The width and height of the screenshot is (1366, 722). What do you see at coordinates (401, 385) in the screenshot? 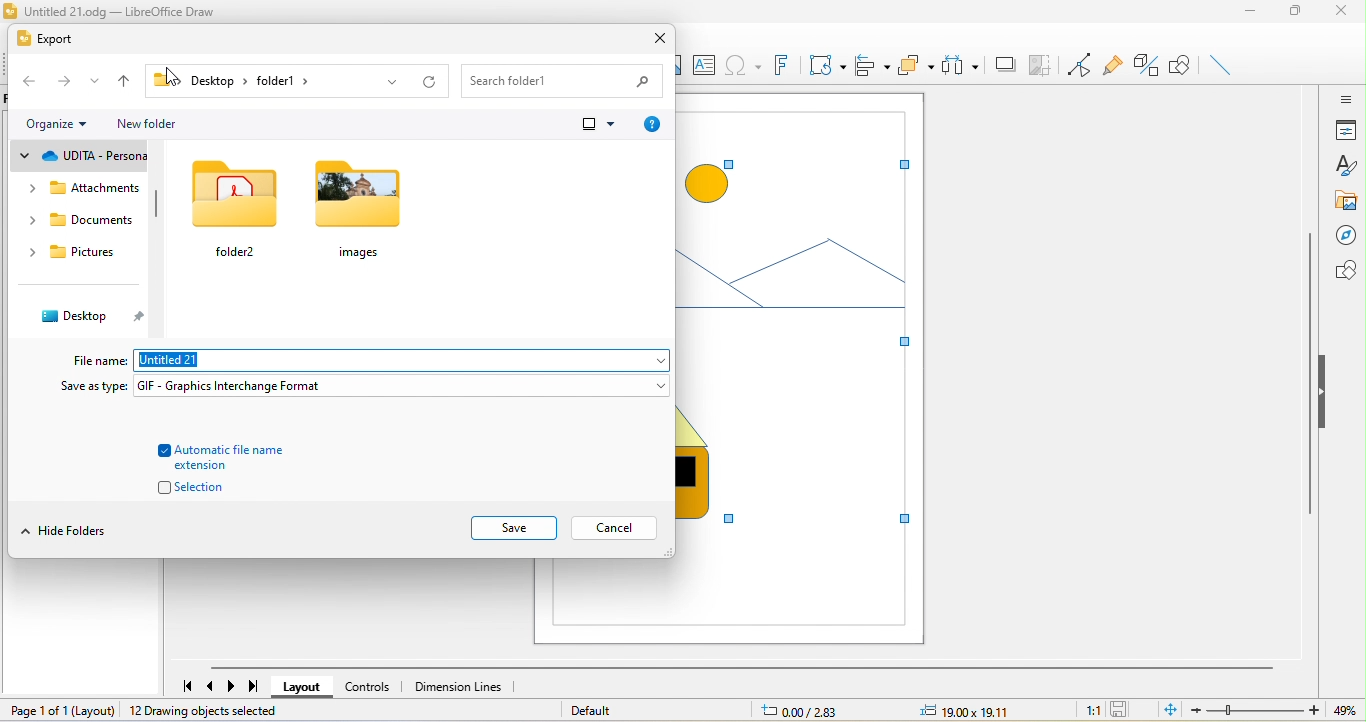
I see `gif- Graphics Interchange Format ~` at bounding box center [401, 385].